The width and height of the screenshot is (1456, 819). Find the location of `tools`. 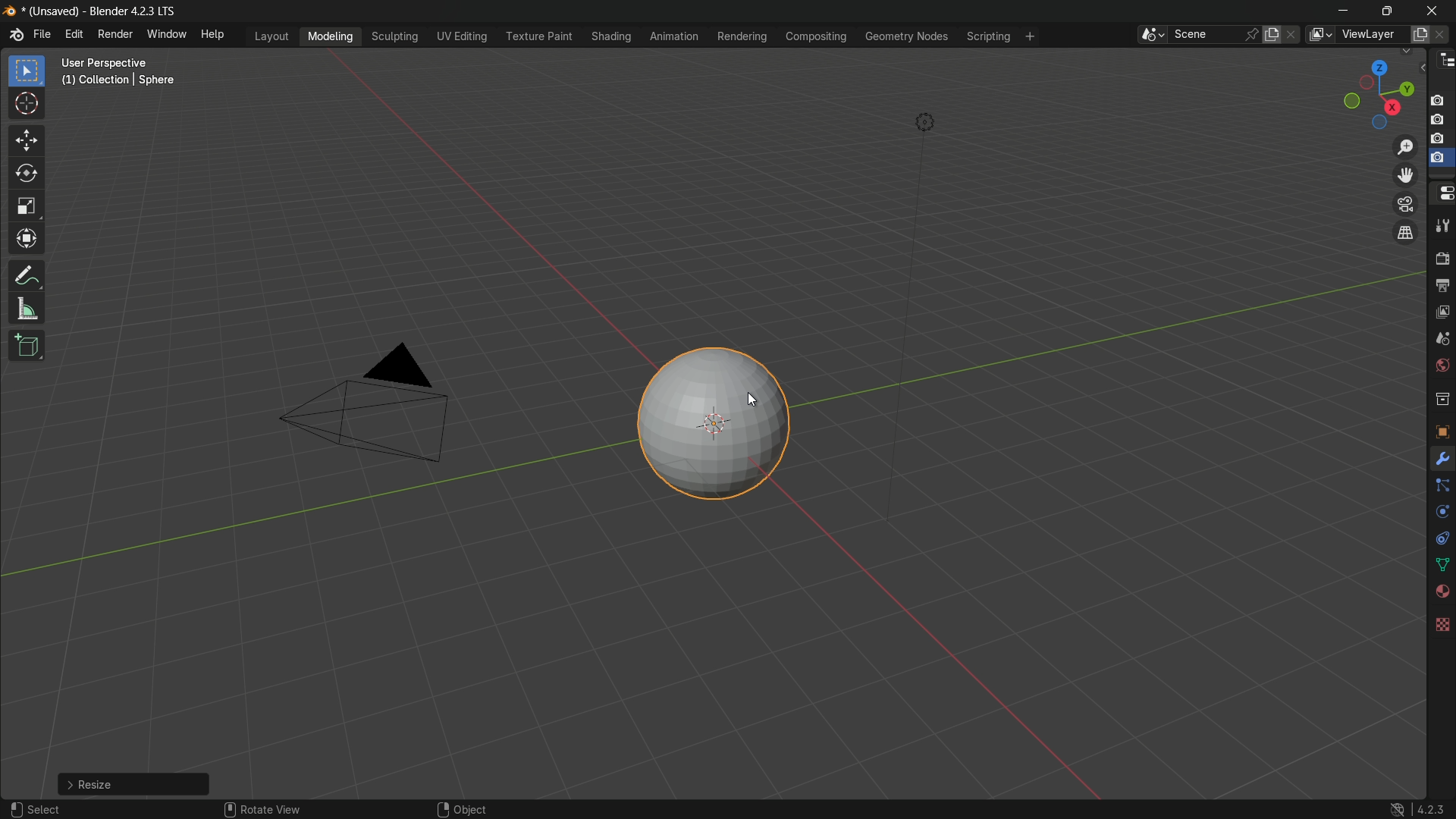

tools is located at coordinates (1442, 229).